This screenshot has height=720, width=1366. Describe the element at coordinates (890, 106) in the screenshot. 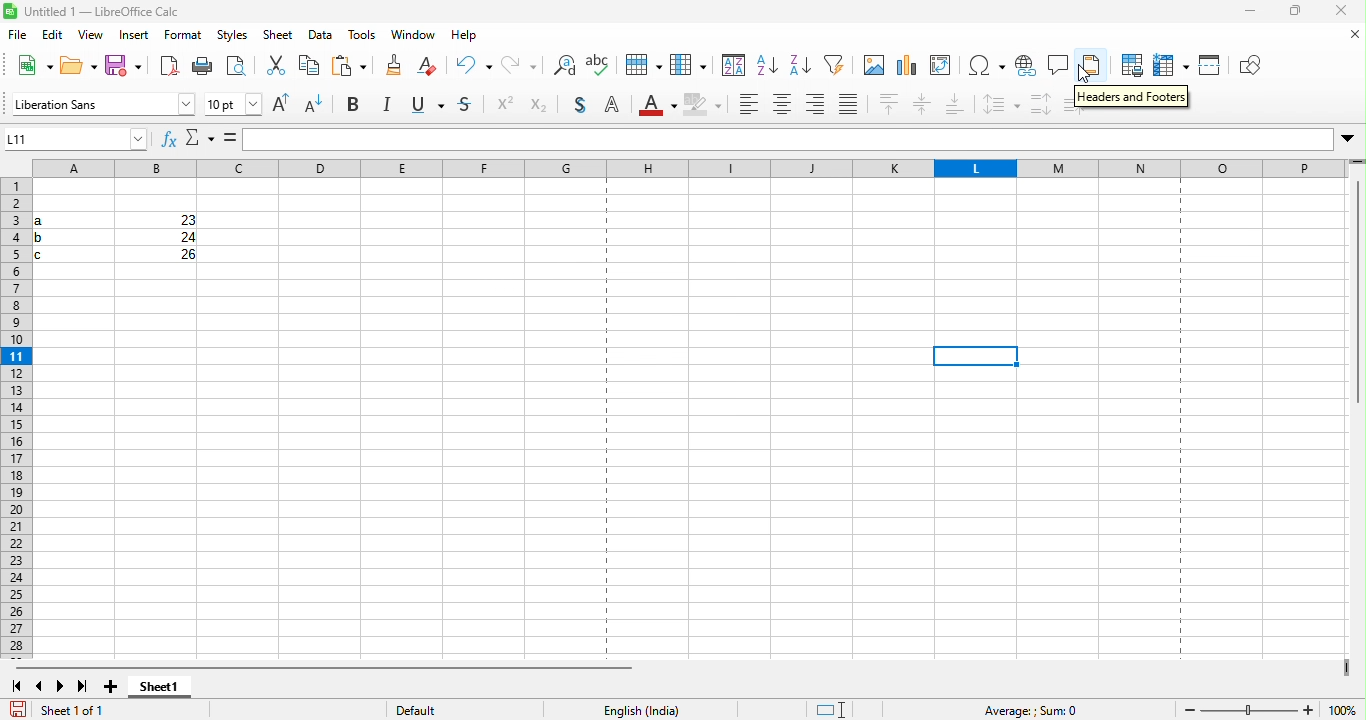

I see `align top` at that location.